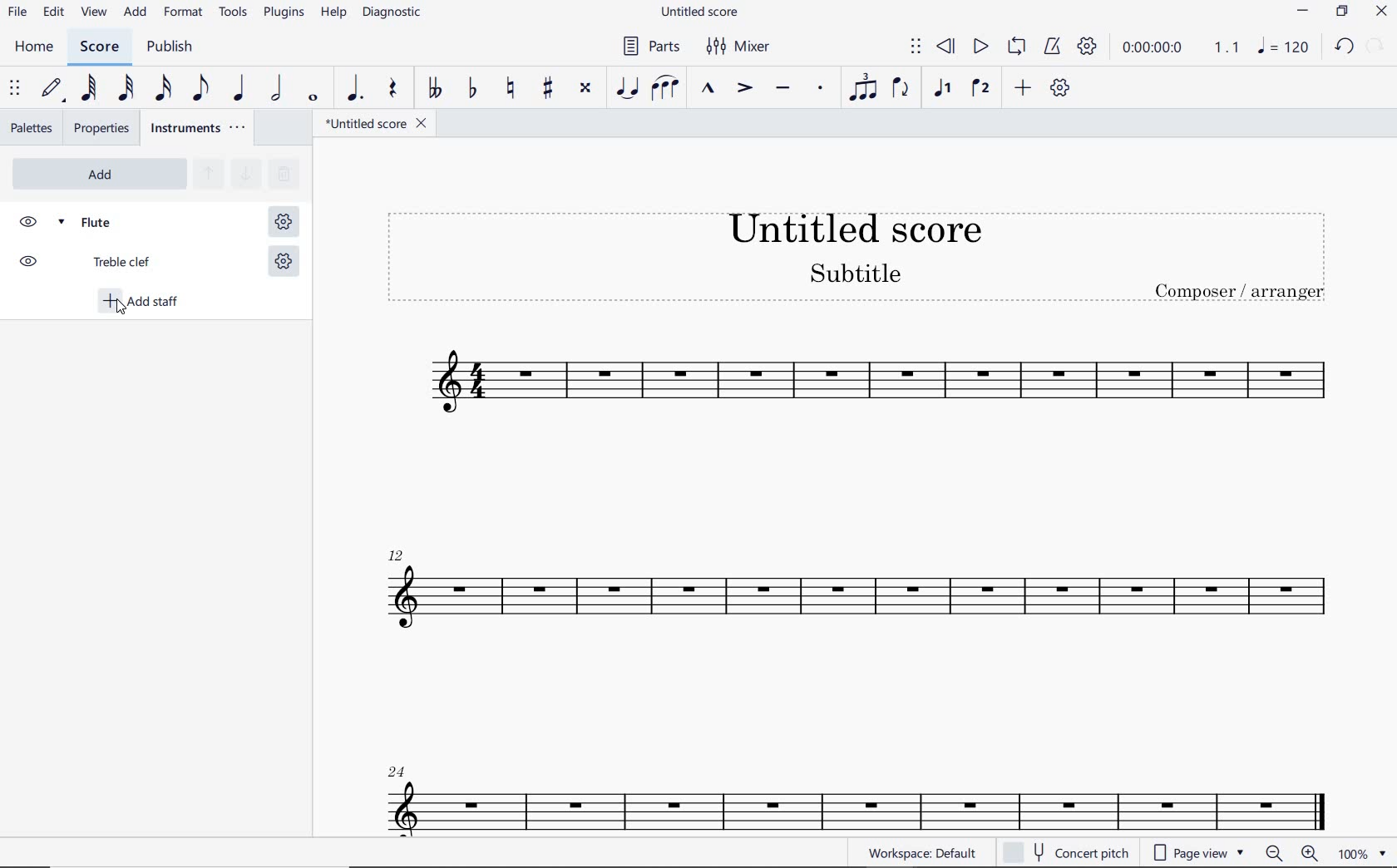 The height and width of the screenshot is (868, 1397). Describe the element at coordinates (850, 591) in the screenshot. I see `Flute Instrument` at that location.